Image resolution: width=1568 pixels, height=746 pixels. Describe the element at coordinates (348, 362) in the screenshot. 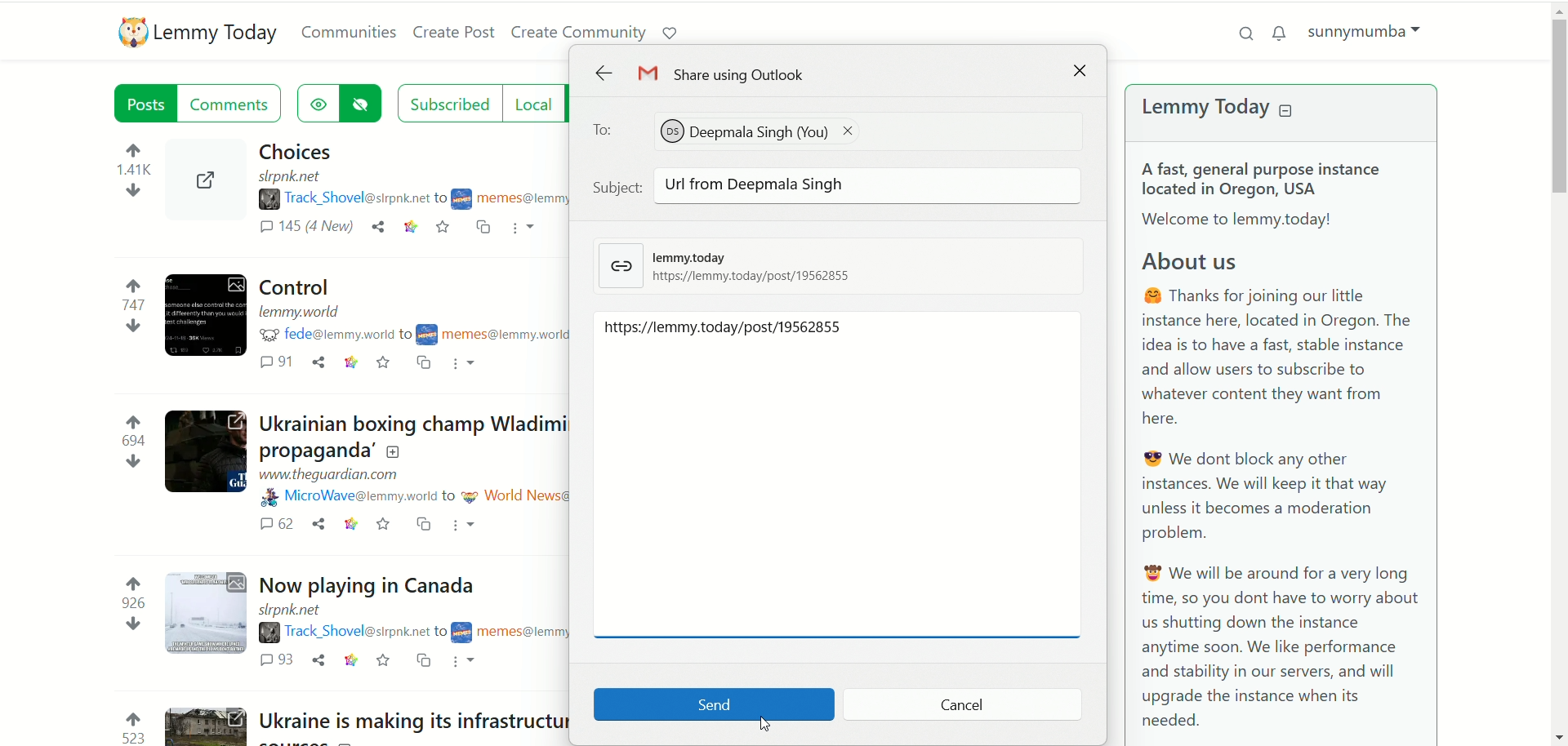

I see `link` at that location.